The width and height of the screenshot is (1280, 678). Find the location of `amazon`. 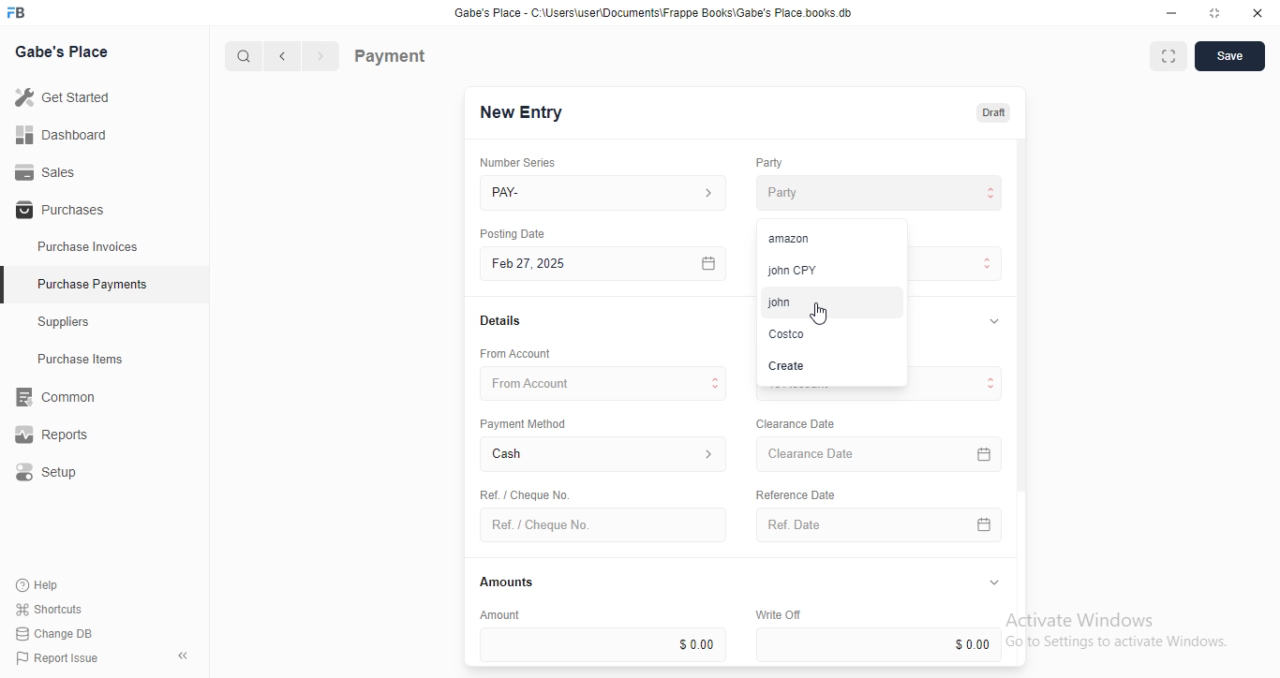

amazon is located at coordinates (791, 238).